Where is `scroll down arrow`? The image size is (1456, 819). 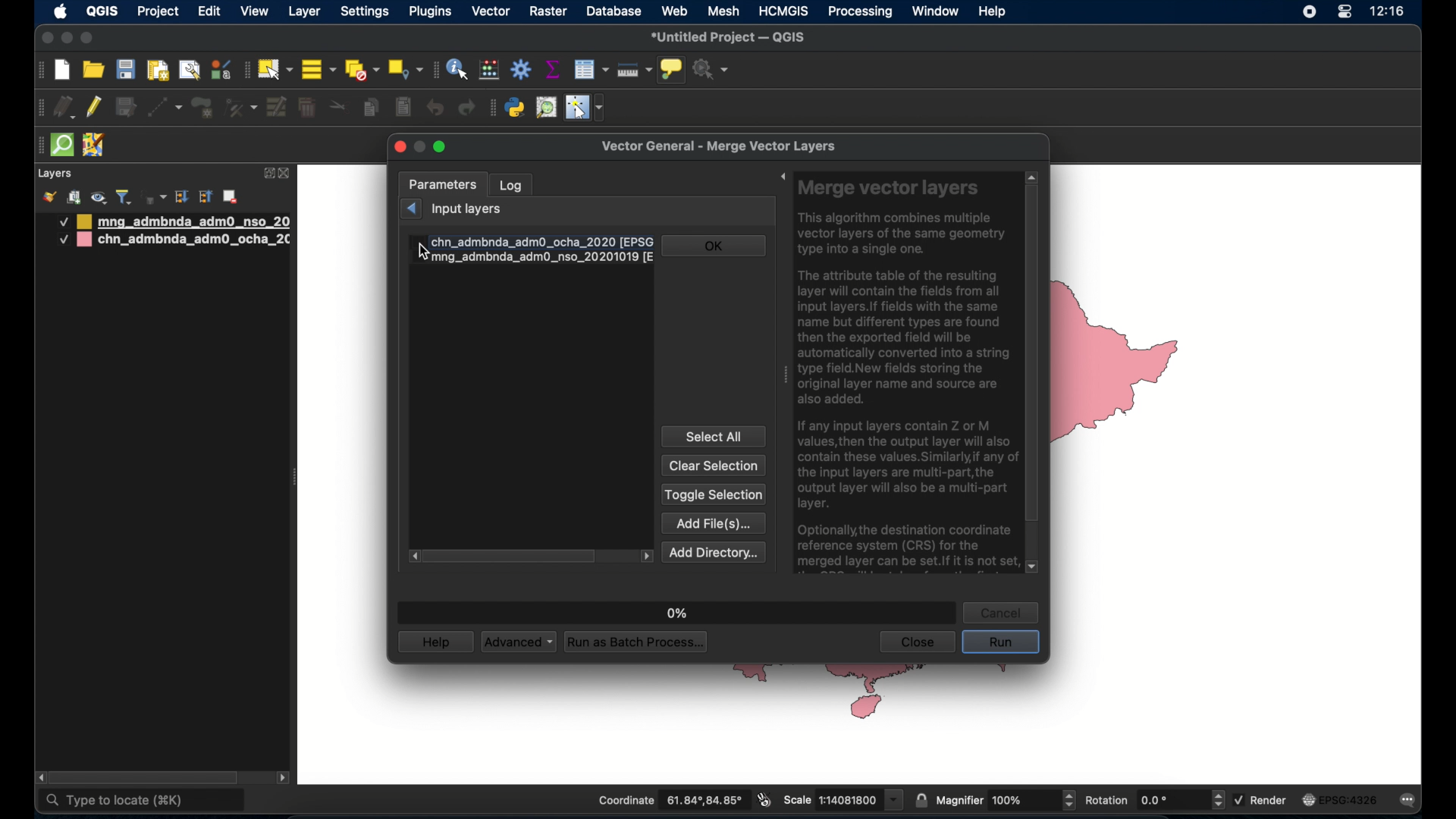
scroll down arrow is located at coordinates (1034, 568).